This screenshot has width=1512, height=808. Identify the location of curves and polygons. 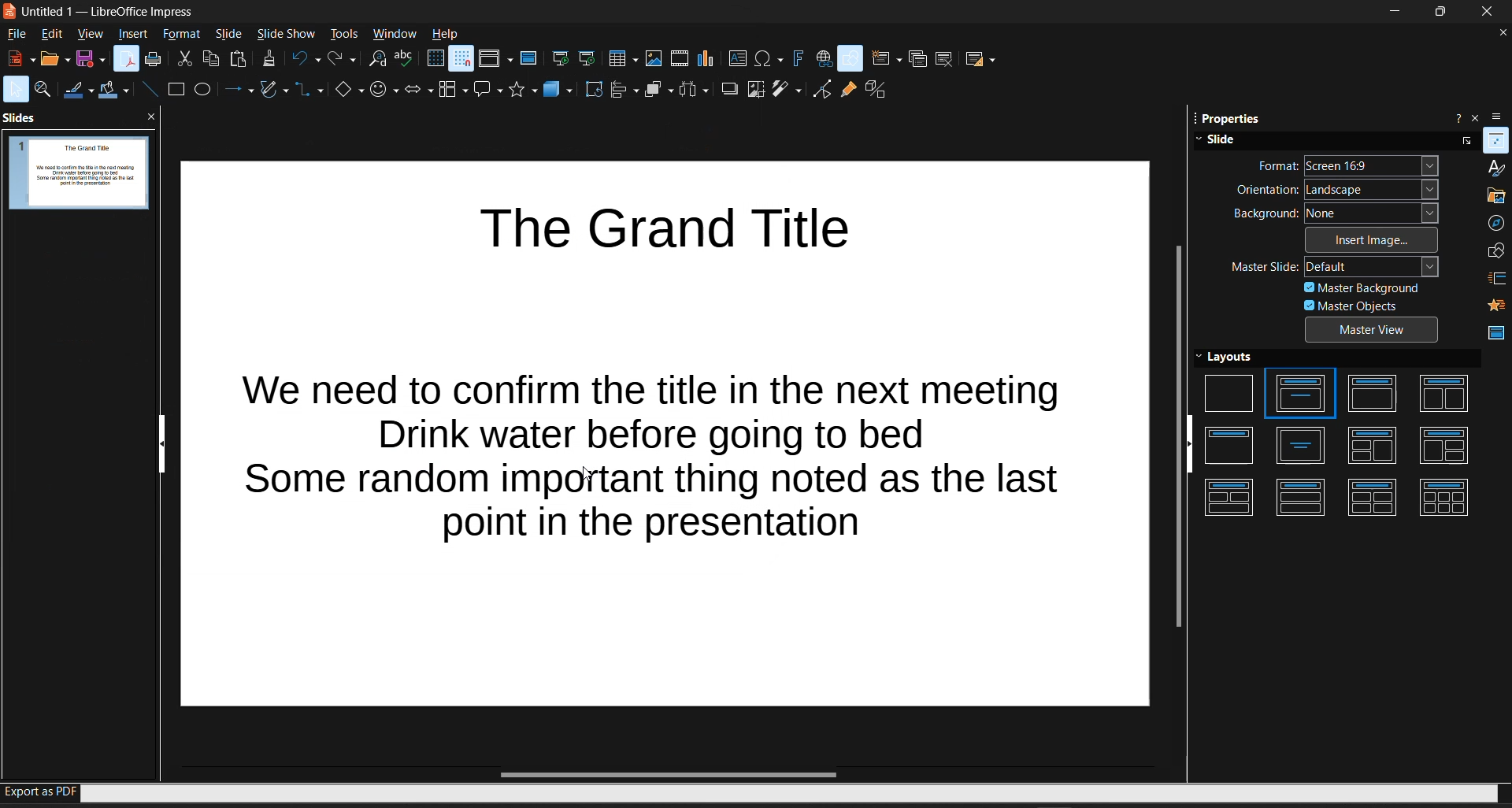
(269, 91).